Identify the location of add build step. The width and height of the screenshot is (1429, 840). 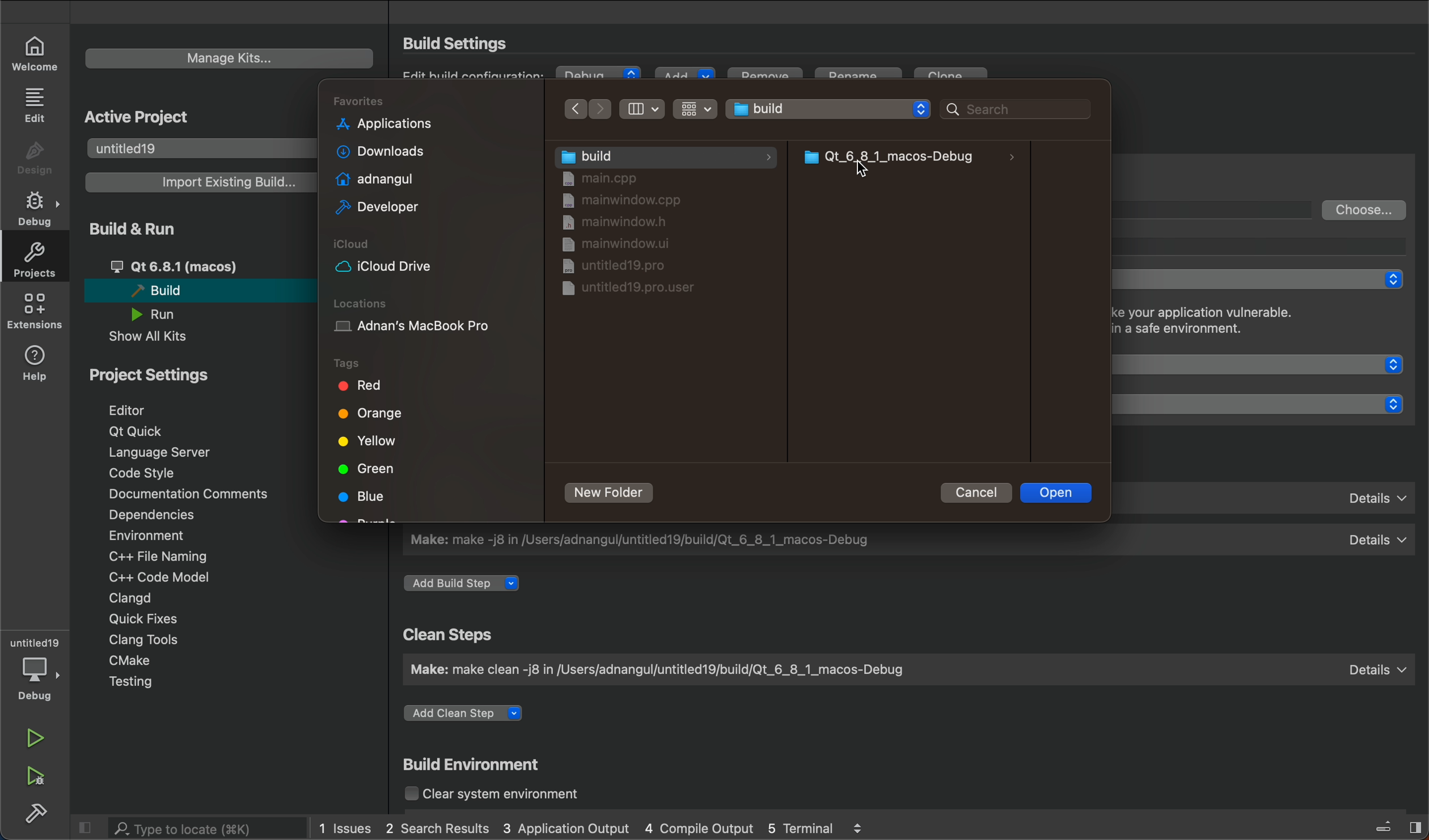
(467, 584).